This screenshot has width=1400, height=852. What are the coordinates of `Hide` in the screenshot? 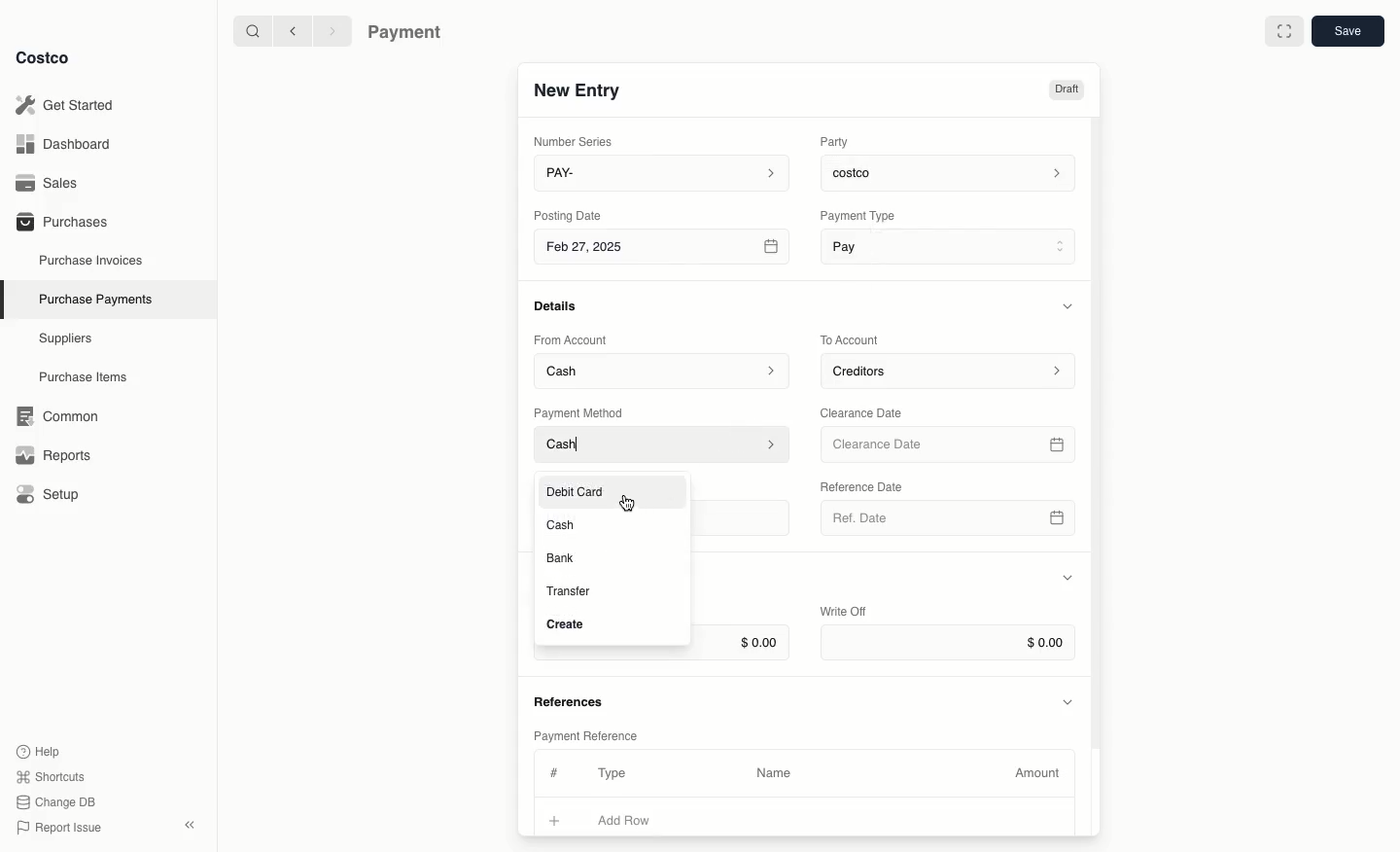 It's located at (1069, 700).